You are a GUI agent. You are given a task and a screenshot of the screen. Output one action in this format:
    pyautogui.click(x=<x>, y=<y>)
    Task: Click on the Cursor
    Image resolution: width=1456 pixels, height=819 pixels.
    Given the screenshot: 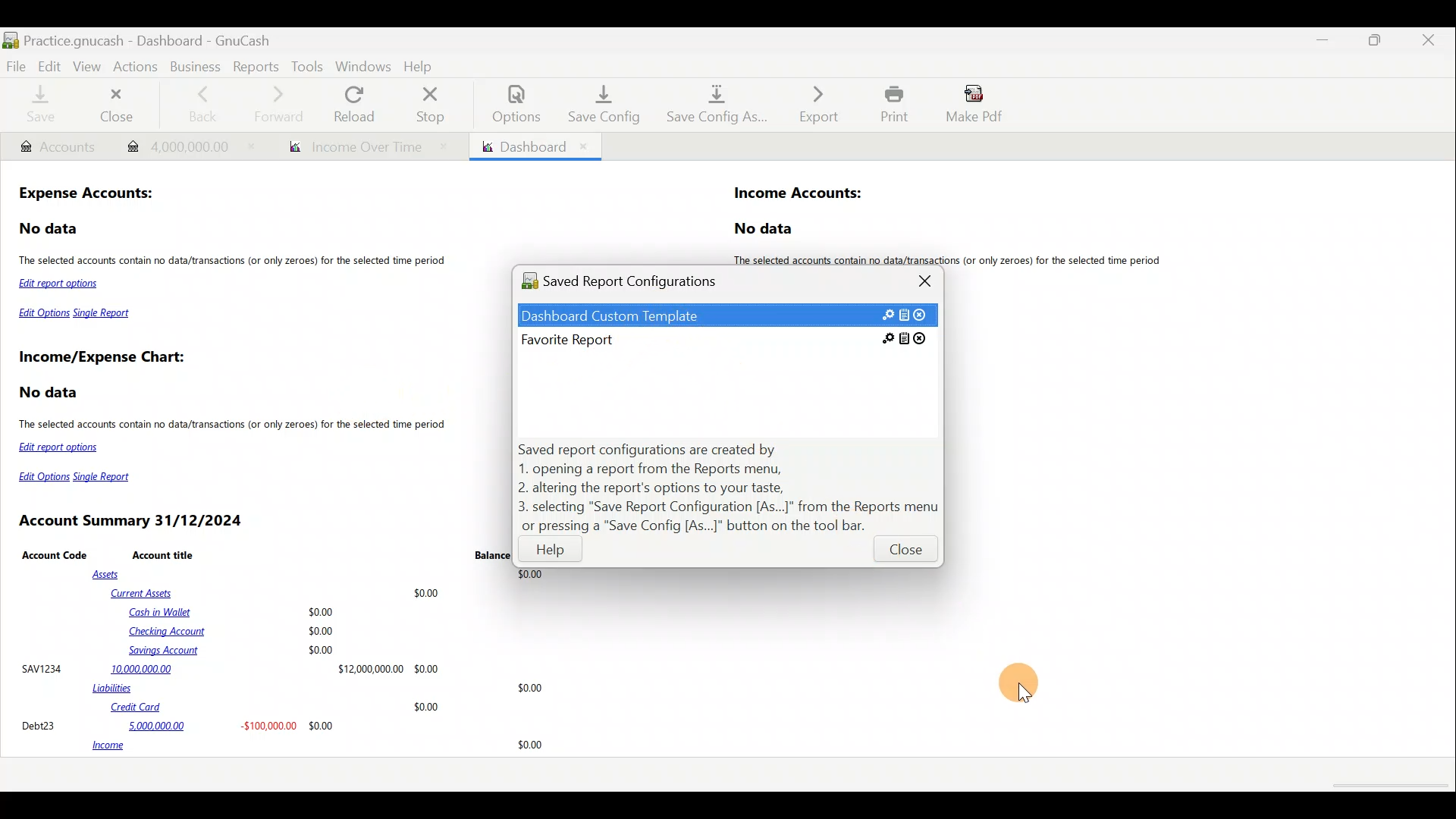 What is the action you would take?
    pyautogui.click(x=1025, y=683)
    